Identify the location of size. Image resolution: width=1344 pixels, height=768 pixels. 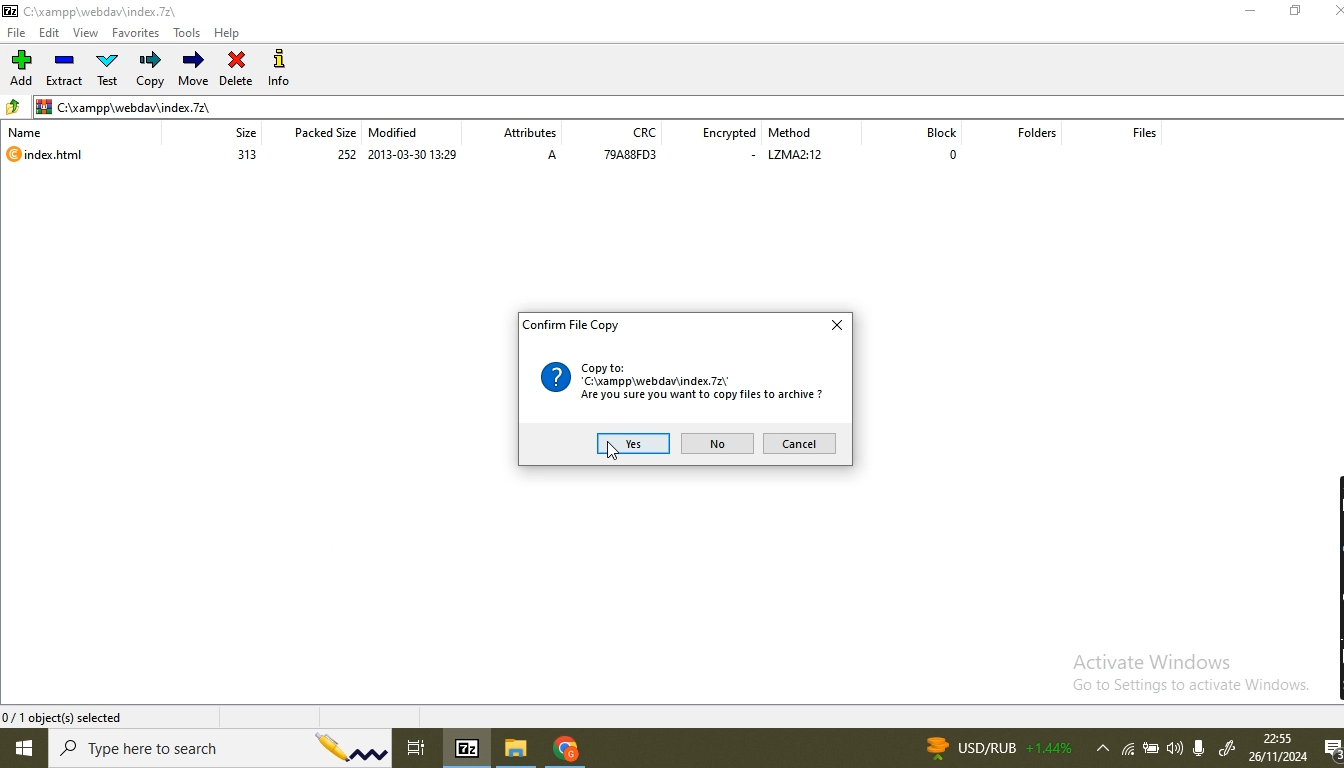
(240, 132).